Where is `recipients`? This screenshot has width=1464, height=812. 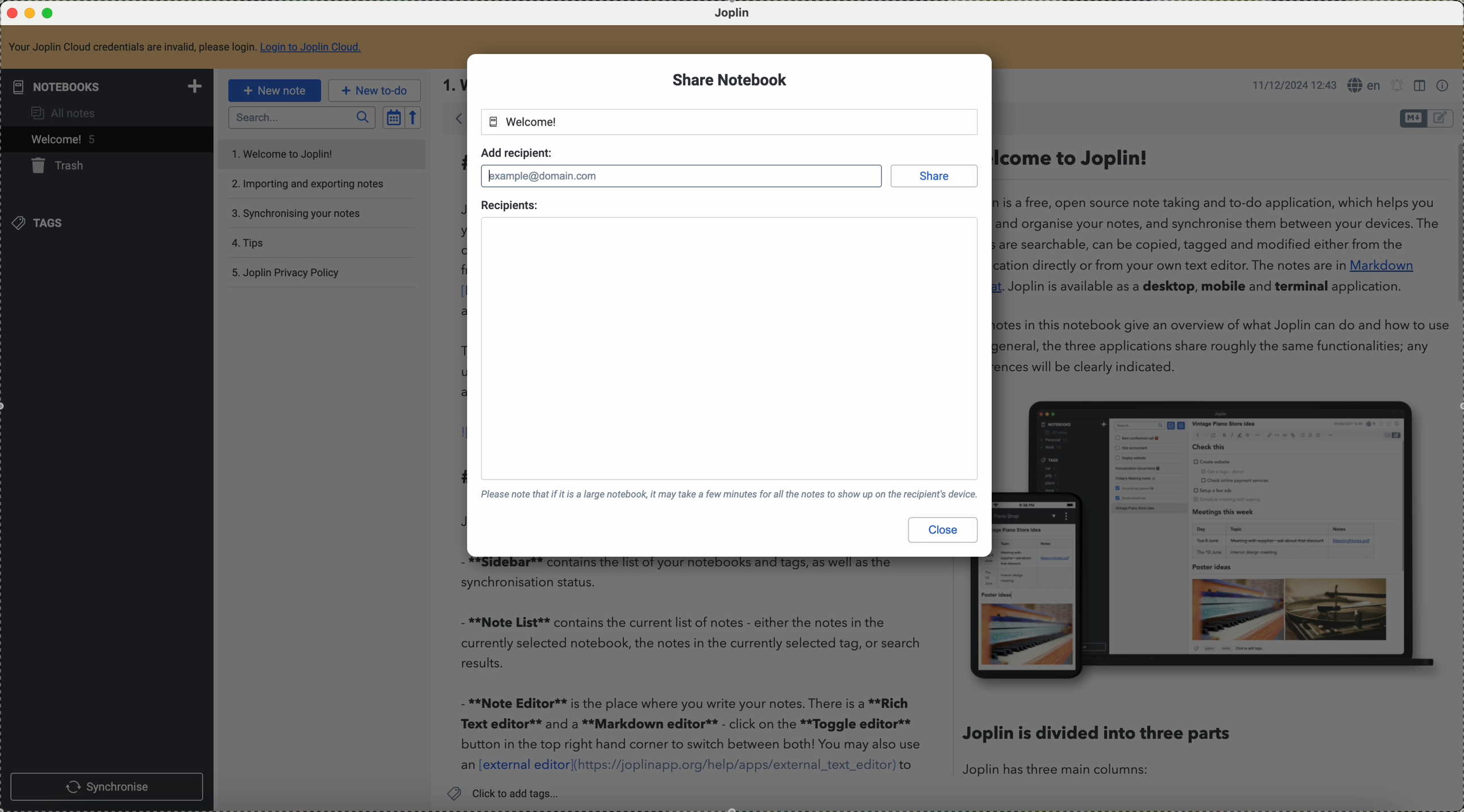
recipients is located at coordinates (510, 204).